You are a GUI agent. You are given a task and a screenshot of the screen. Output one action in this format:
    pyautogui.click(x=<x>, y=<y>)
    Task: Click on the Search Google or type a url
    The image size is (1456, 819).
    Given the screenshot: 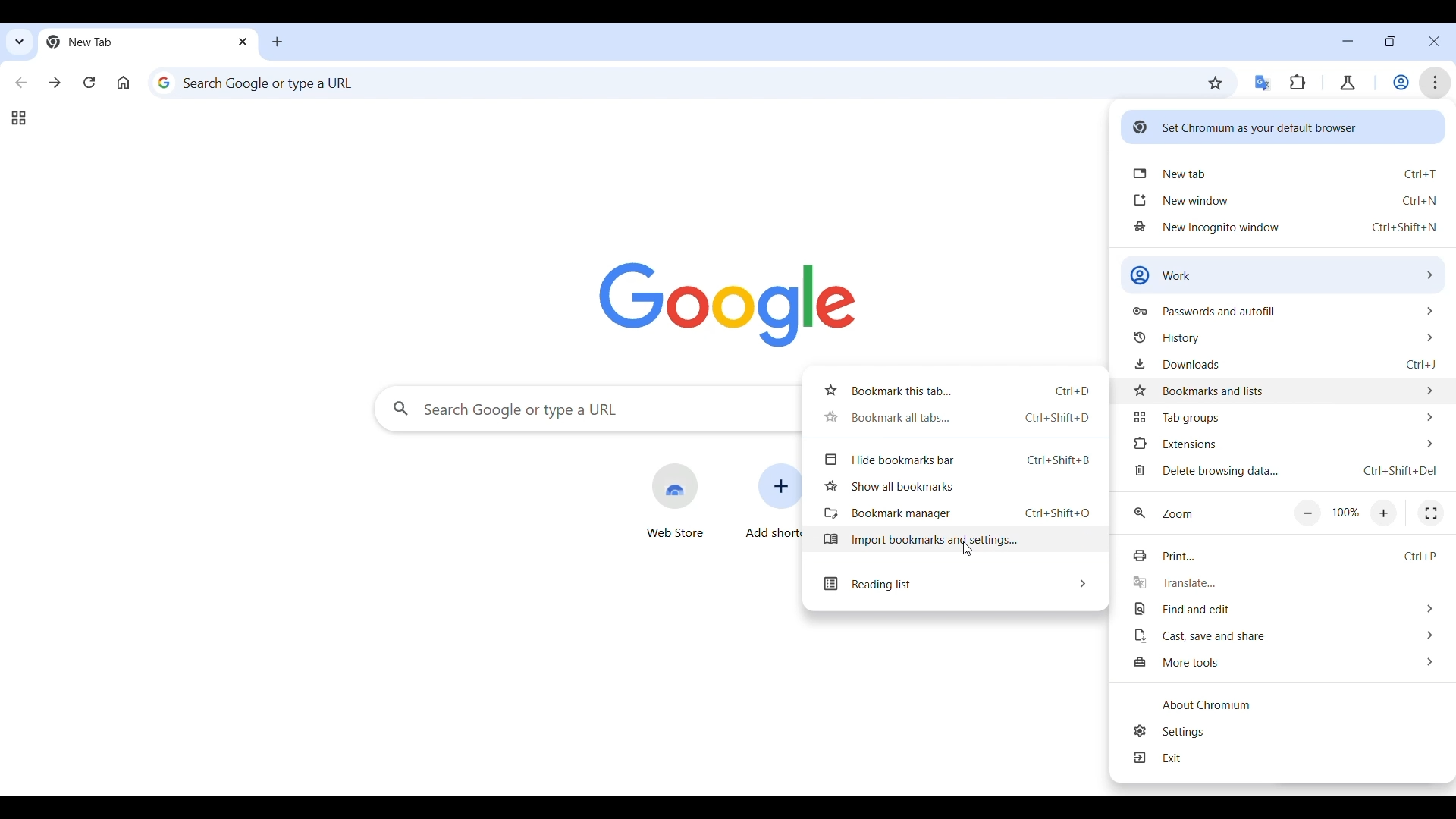 What is the action you would take?
    pyautogui.click(x=670, y=82)
    